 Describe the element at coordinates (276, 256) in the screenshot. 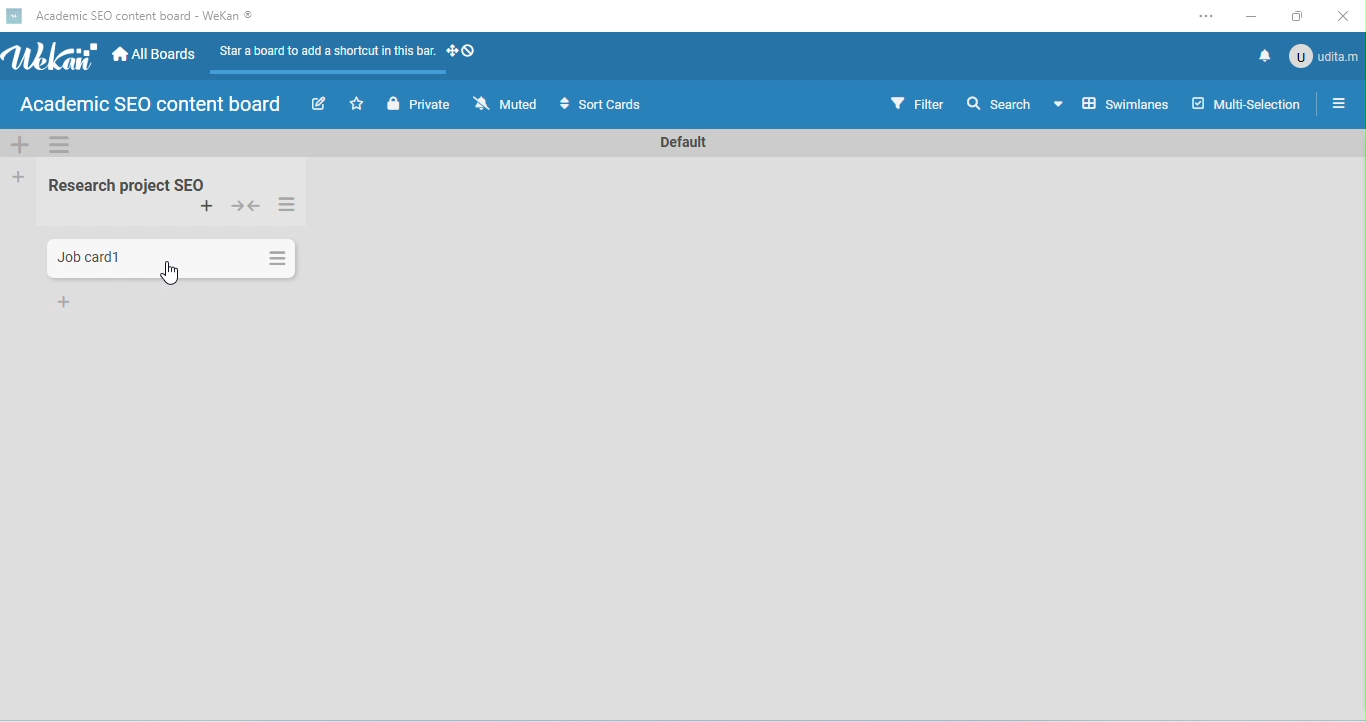

I see `card actions` at that location.